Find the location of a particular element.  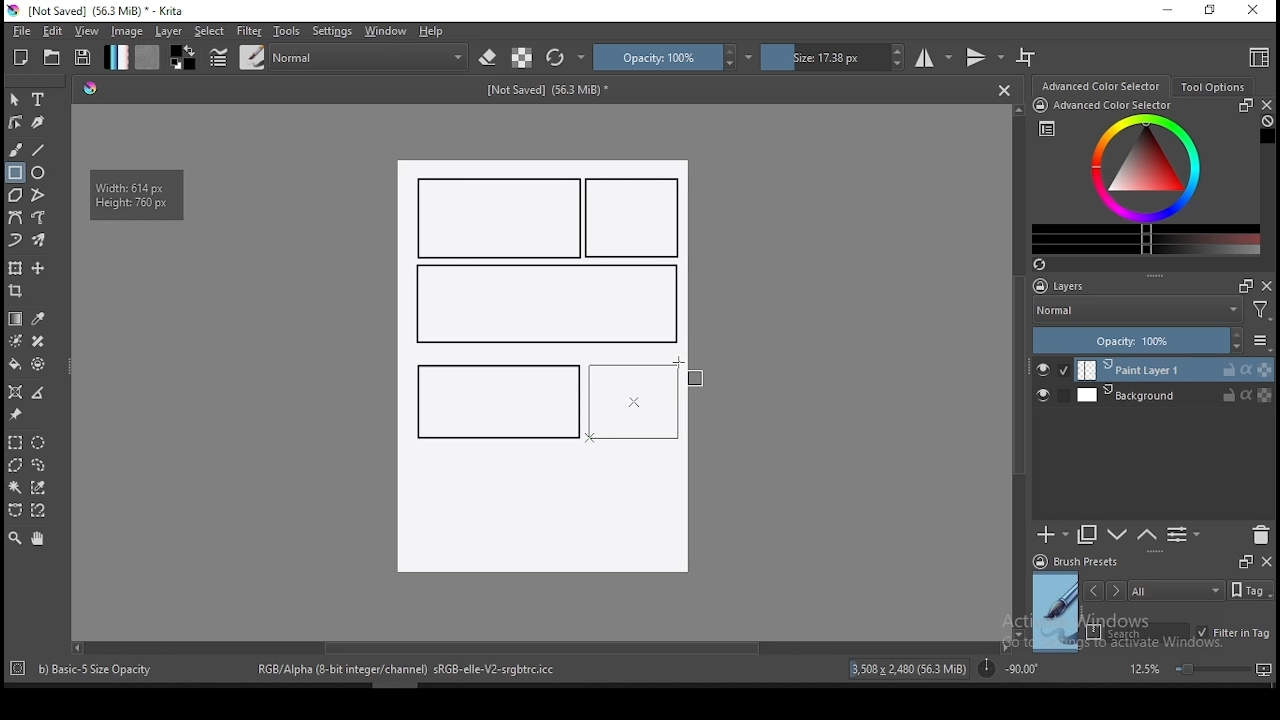

Hue is located at coordinates (90, 88).